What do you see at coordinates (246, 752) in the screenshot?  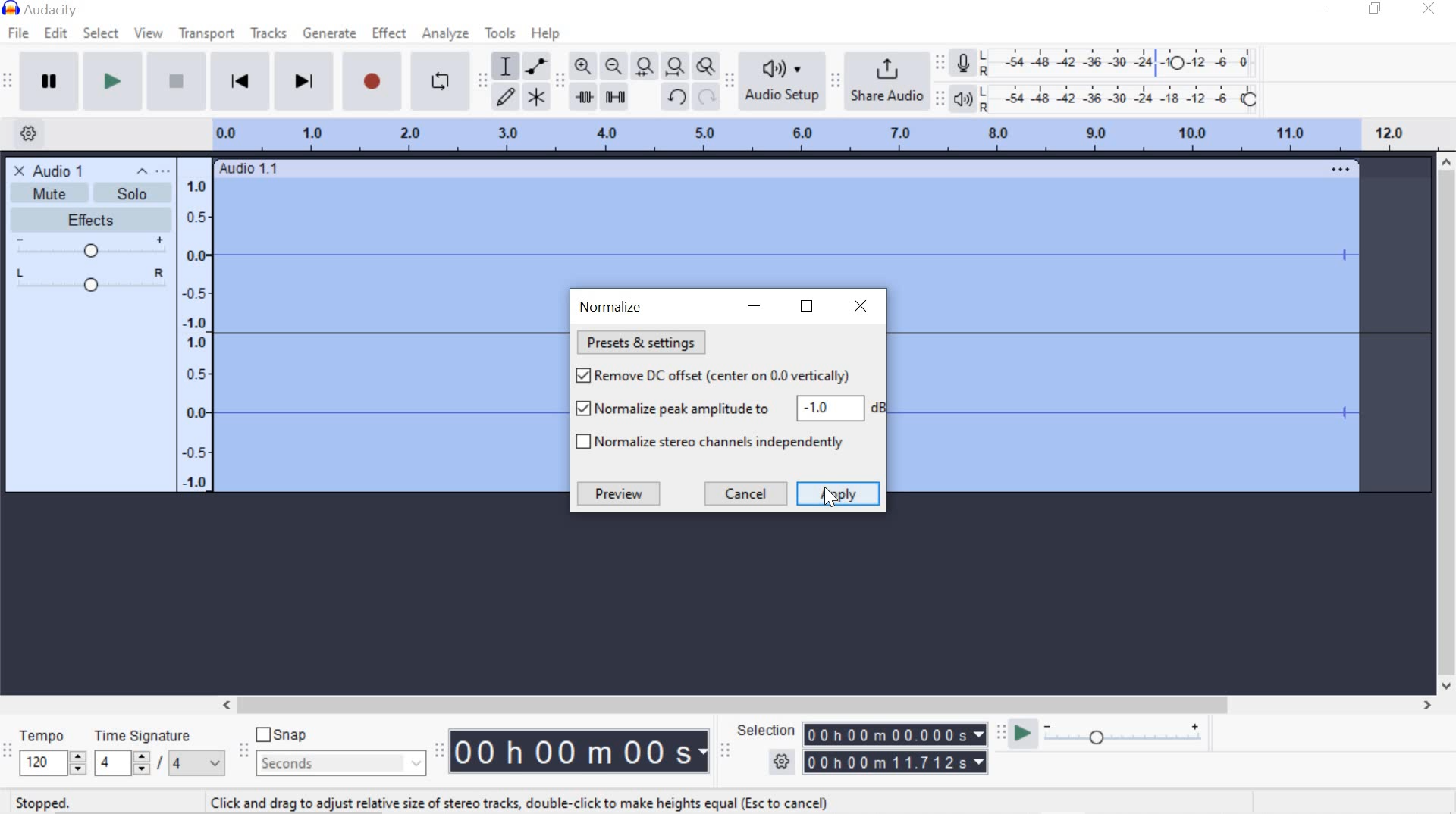 I see `Snapping Toolbar` at bounding box center [246, 752].